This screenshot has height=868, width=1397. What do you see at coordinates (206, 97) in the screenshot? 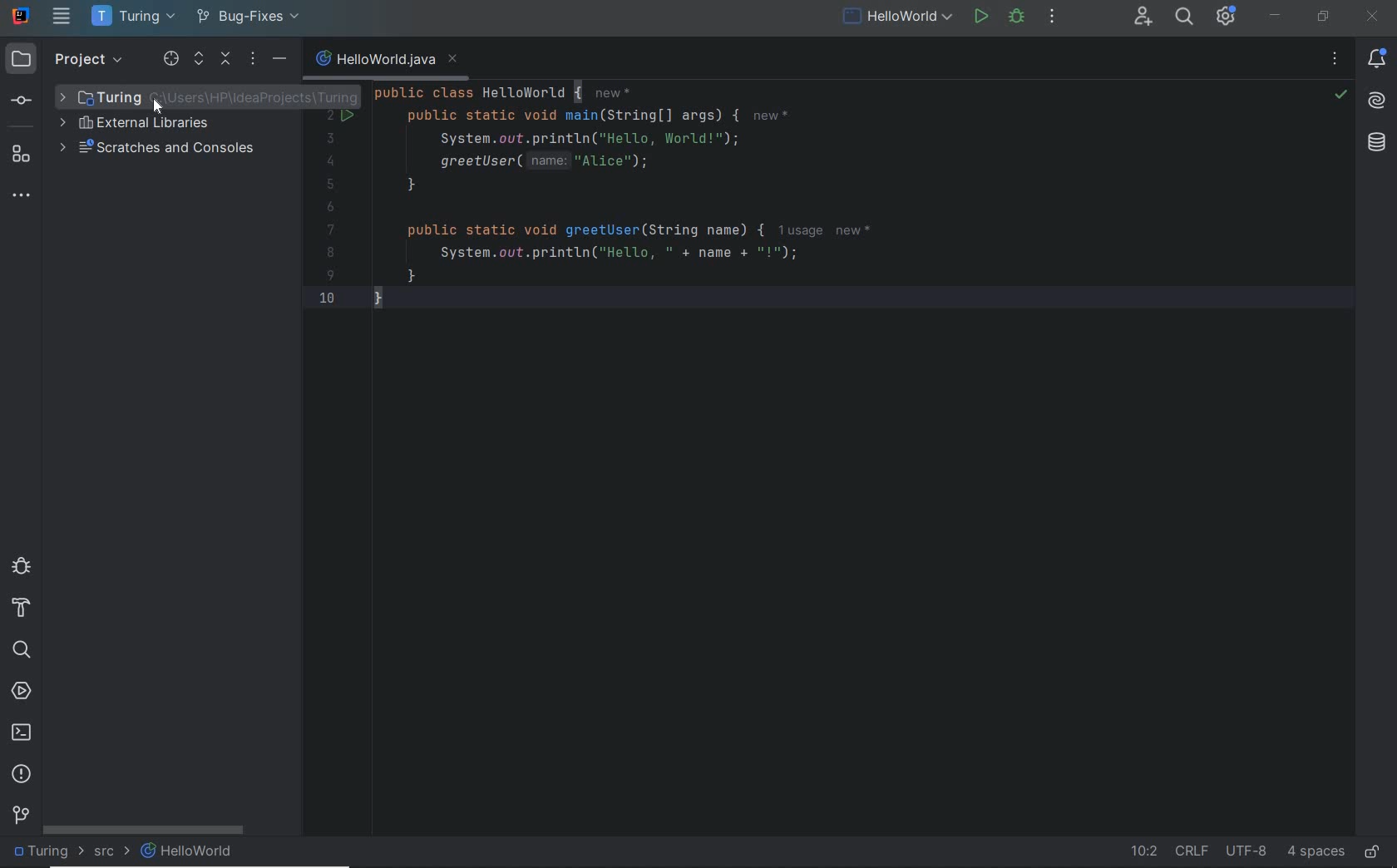
I see `Project folder` at bounding box center [206, 97].